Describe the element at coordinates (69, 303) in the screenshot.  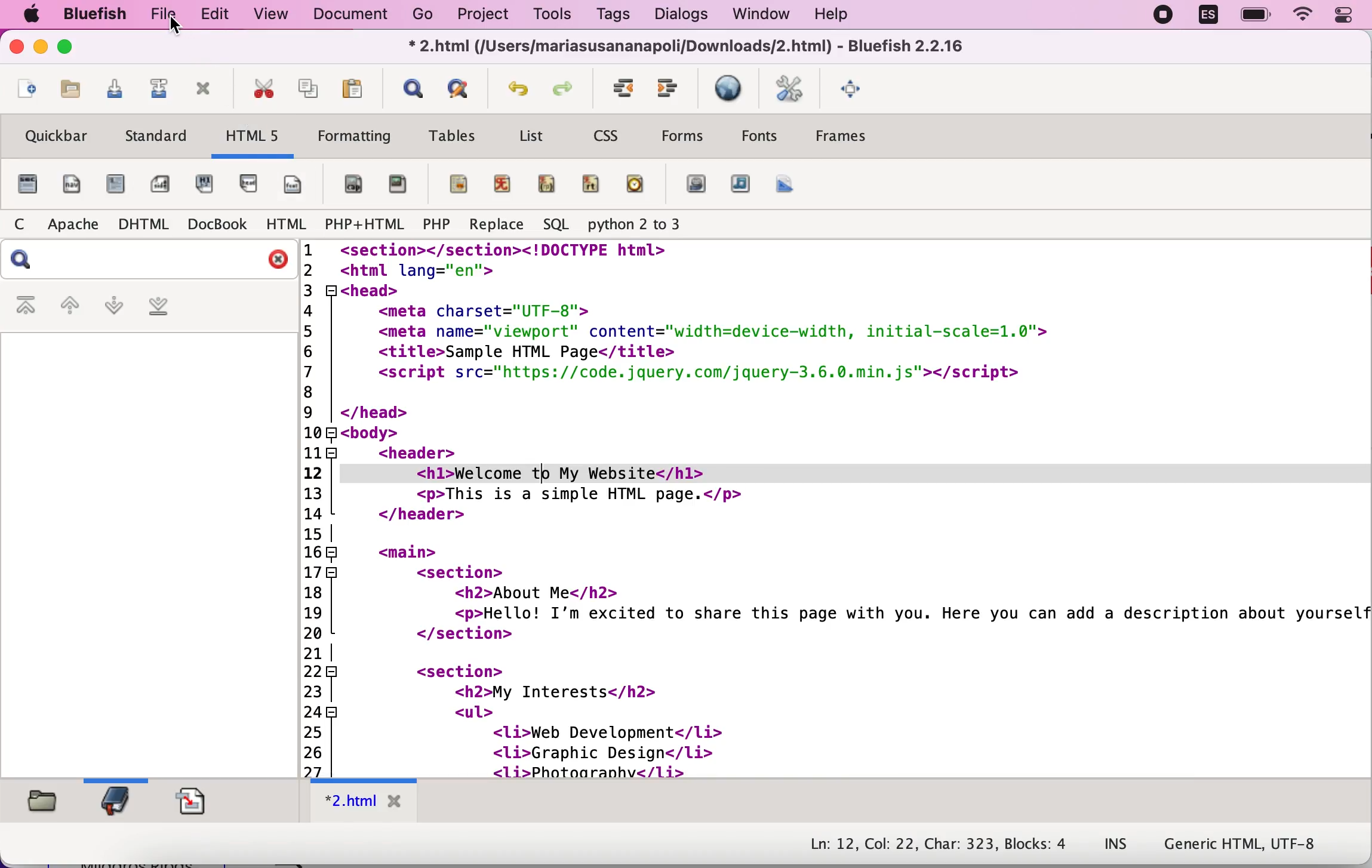
I see `previous bookmark` at that location.